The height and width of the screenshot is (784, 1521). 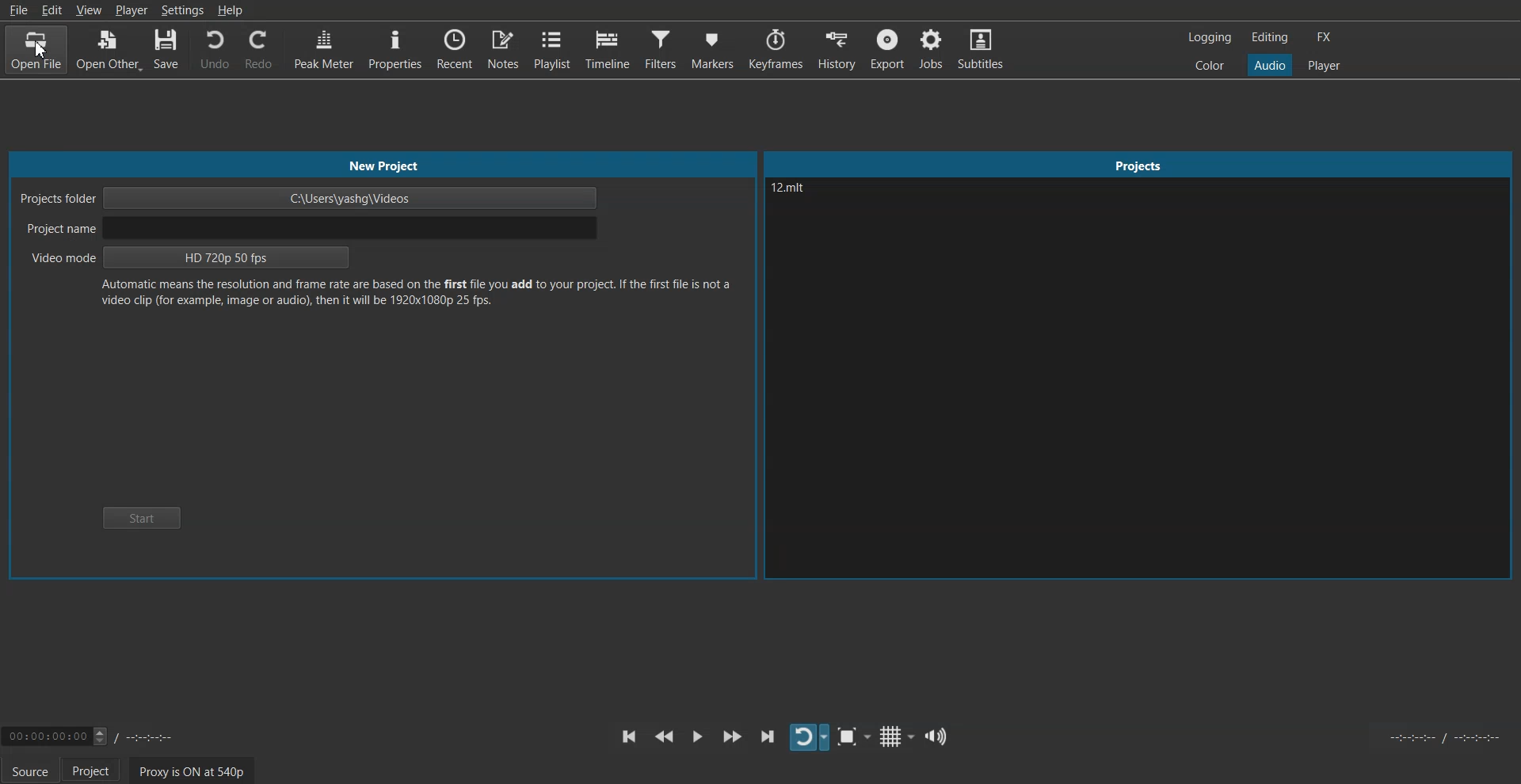 I want to click on Project window, so click(x=1139, y=162).